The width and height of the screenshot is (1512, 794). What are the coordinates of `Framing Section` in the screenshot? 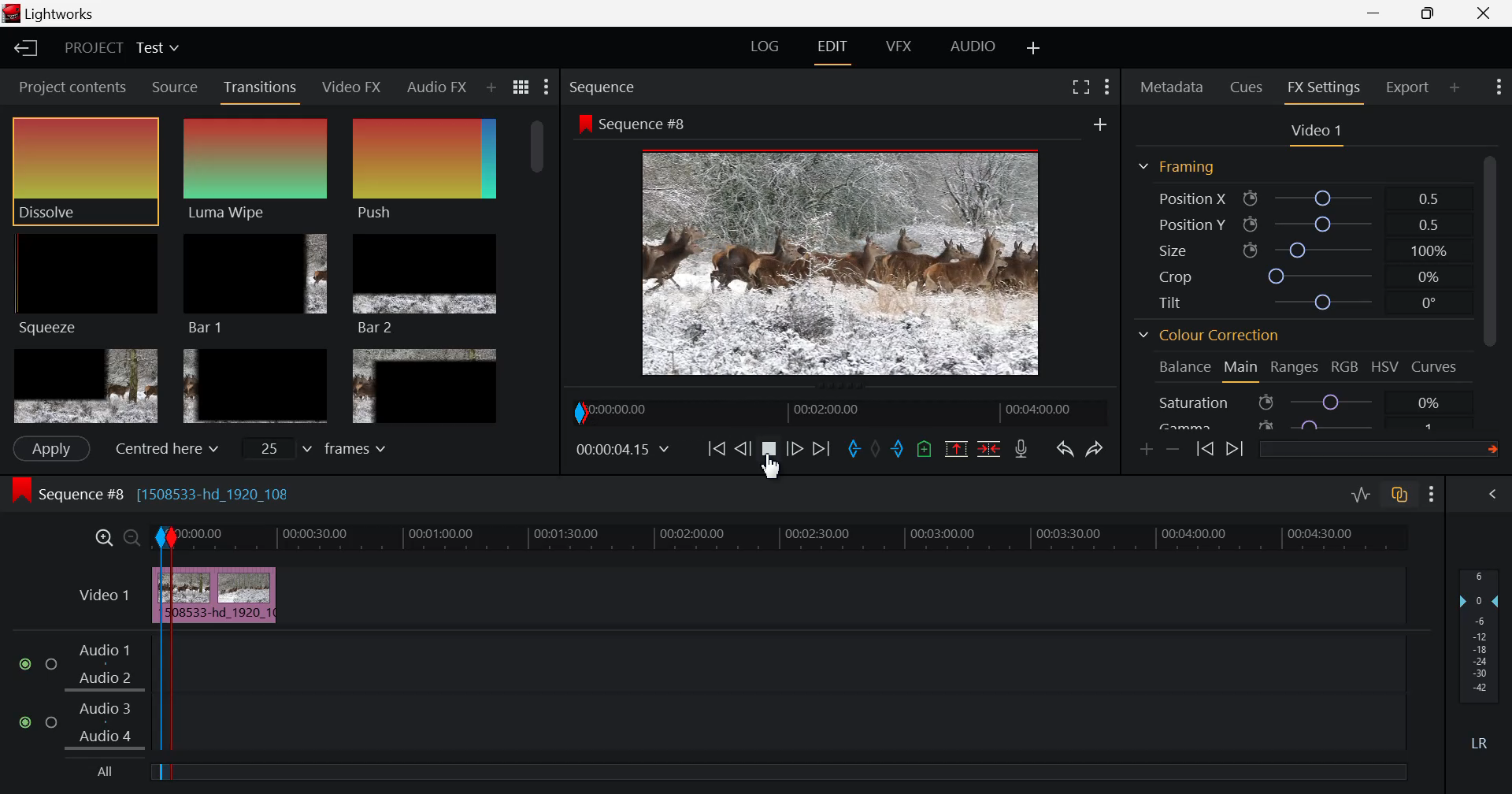 It's located at (1177, 168).